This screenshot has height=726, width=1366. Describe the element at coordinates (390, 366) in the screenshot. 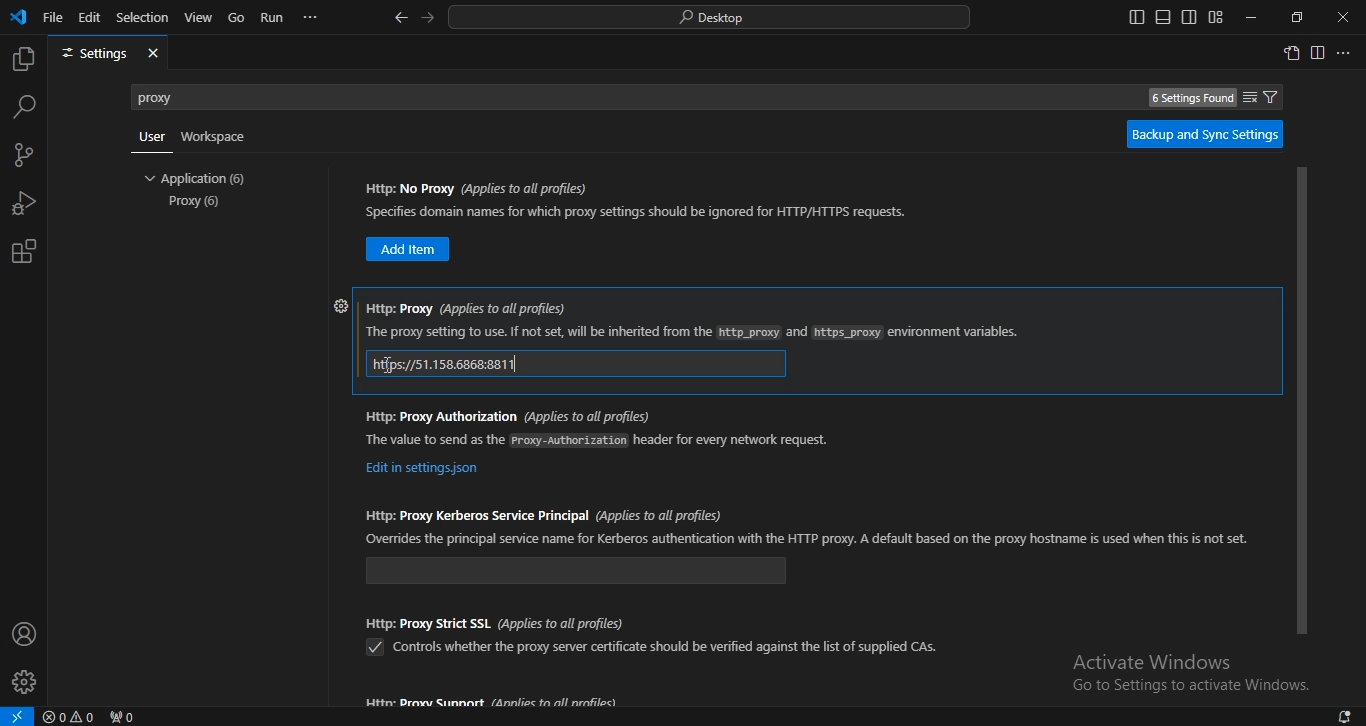

I see `Cursor` at that location.